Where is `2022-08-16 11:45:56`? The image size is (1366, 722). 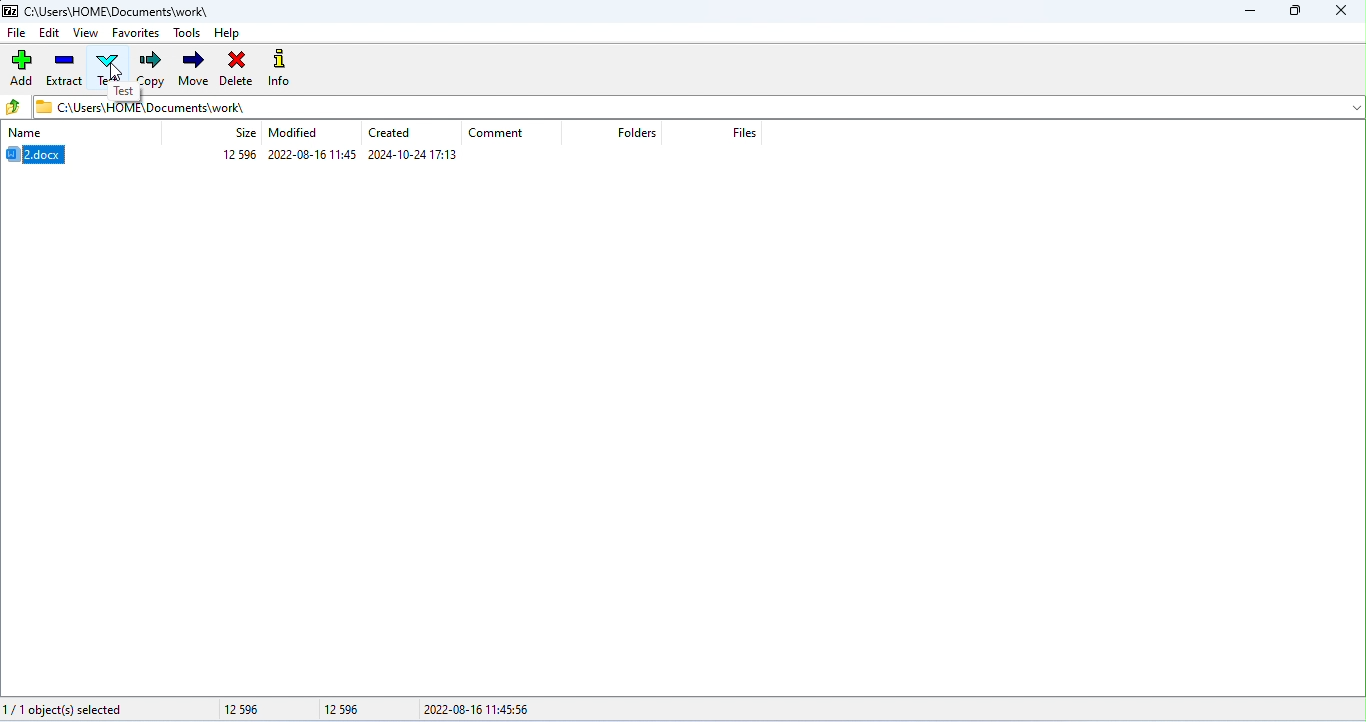 2022-08-16 11:45:56 is located at coordinates (489, 709).